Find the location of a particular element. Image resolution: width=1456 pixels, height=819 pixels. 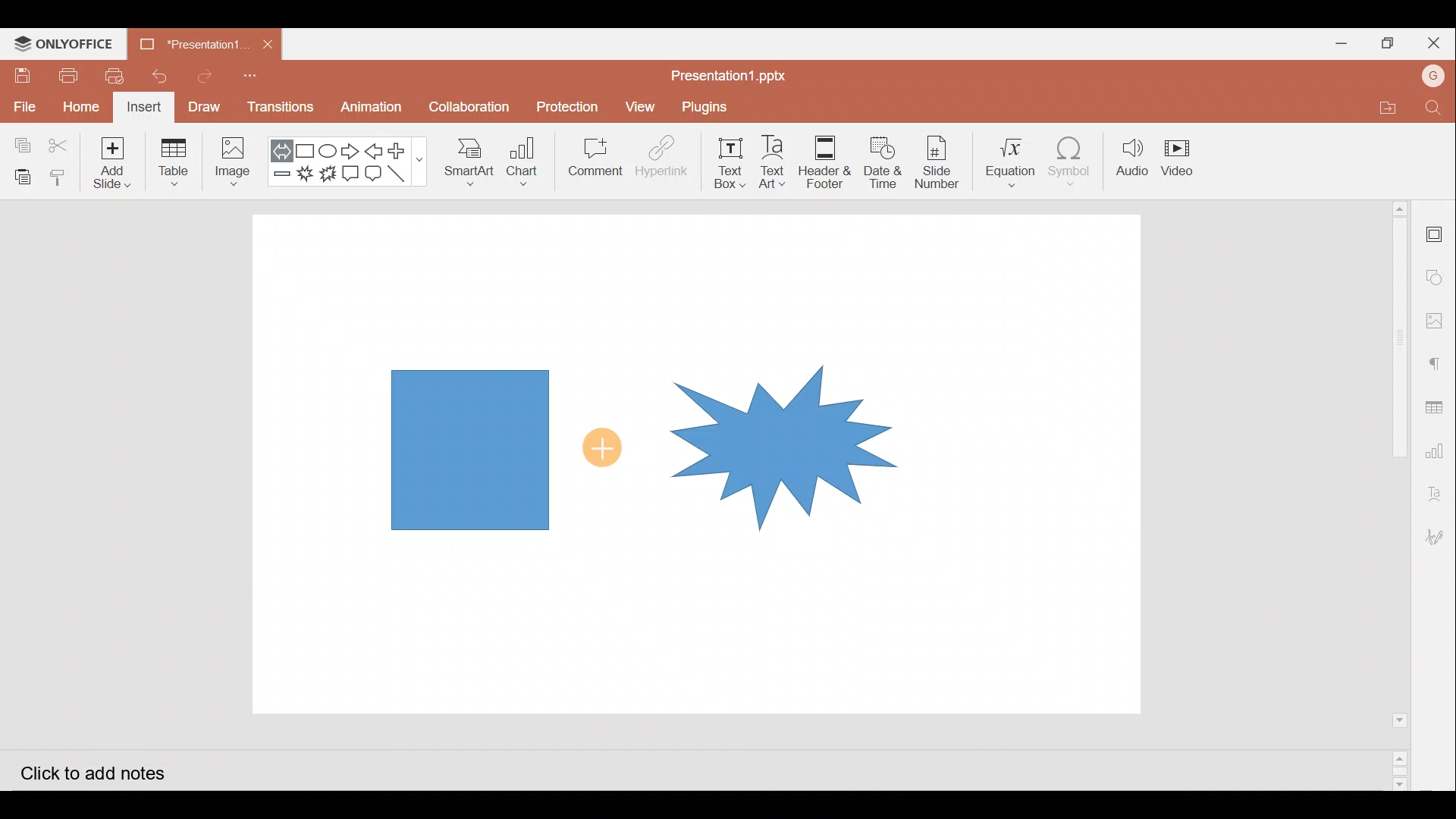

ONLYOFFICE is located at coordinates (63, 44).